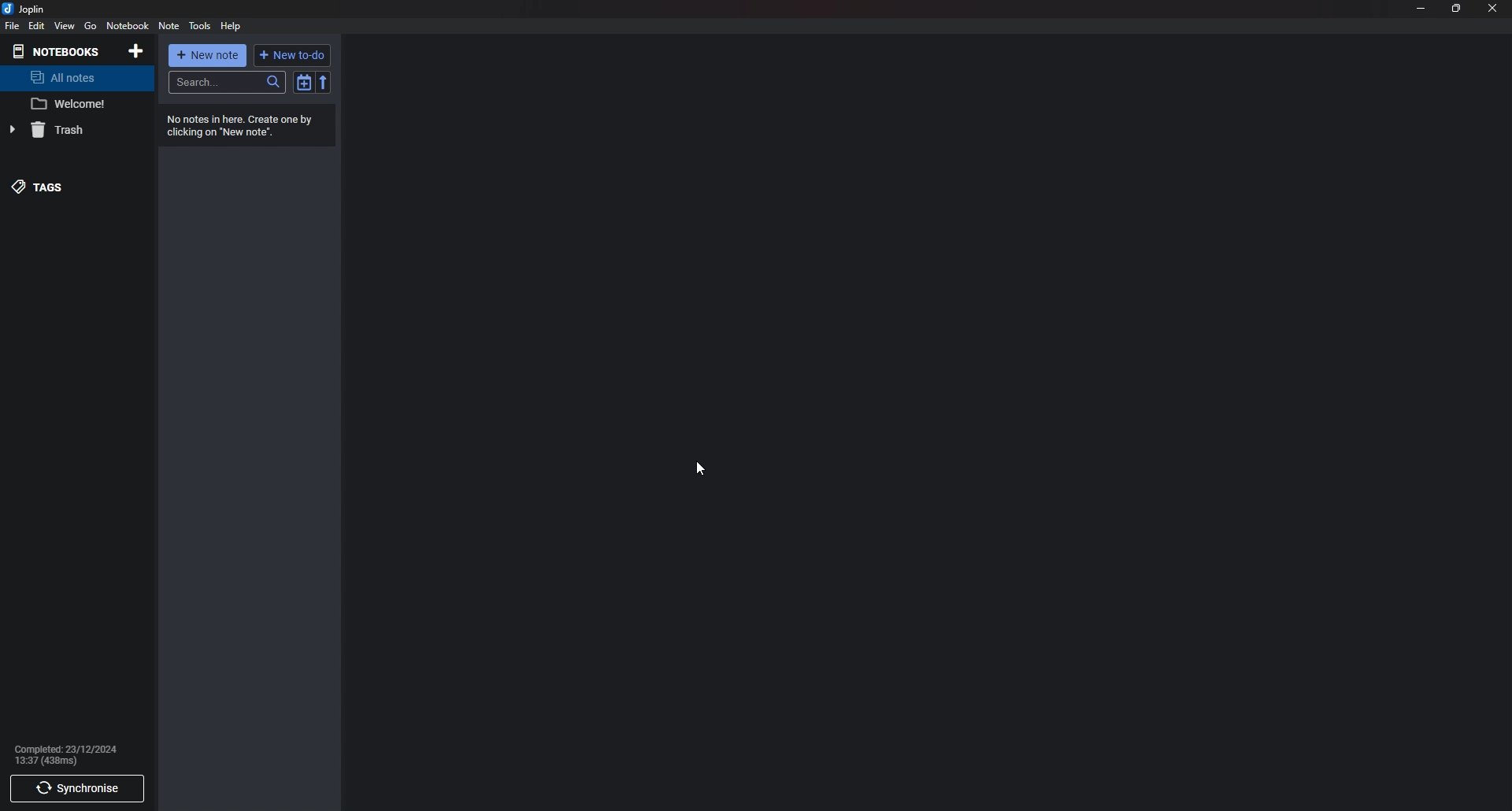 Image resolution: width=1512 pixels, height=811 pixels. What do you see at coordinates (1493, 9) in the screenshot?
I see `close` at bounding box center [1493, 9].